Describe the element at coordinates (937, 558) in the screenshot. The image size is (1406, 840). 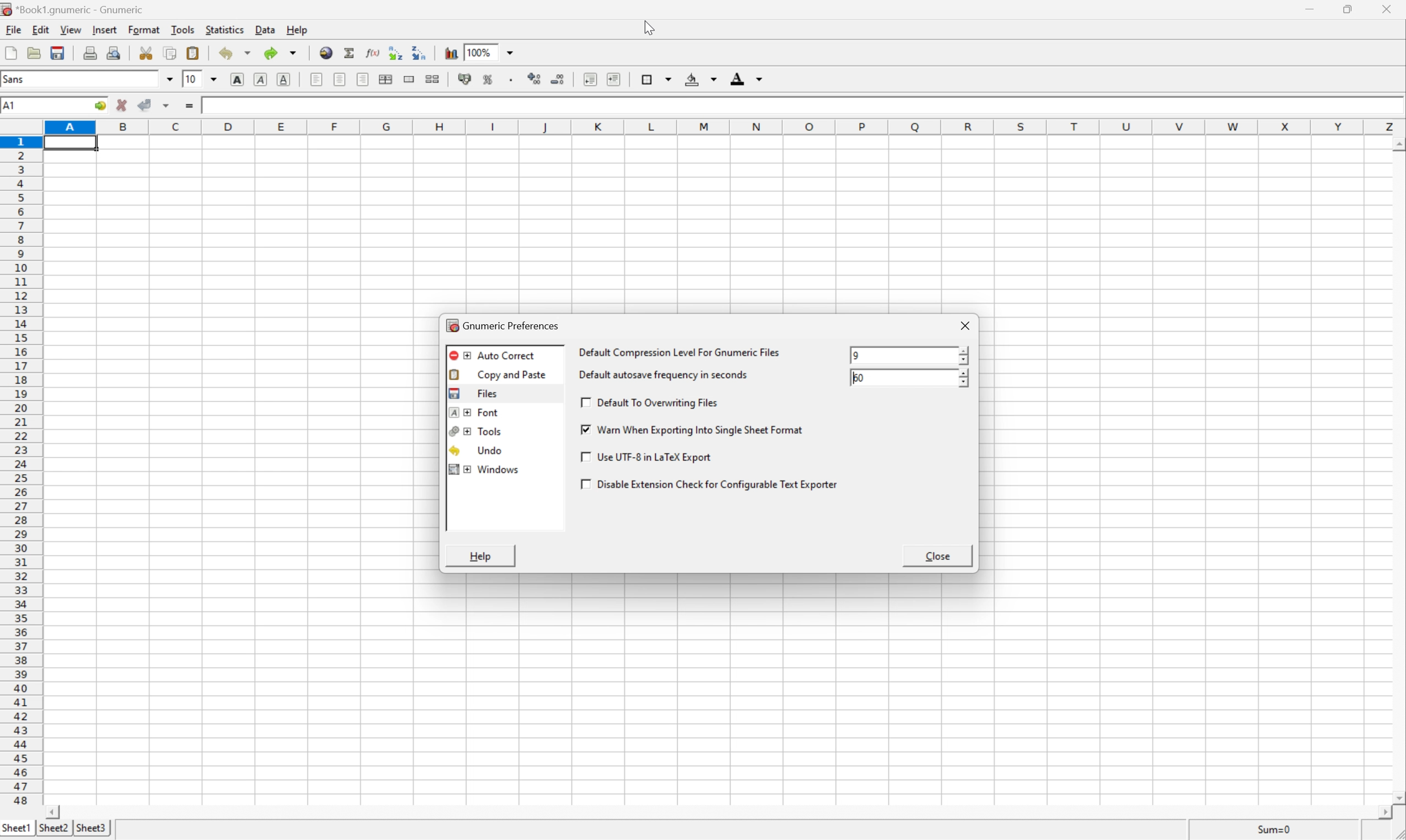
I see `close` at that location.